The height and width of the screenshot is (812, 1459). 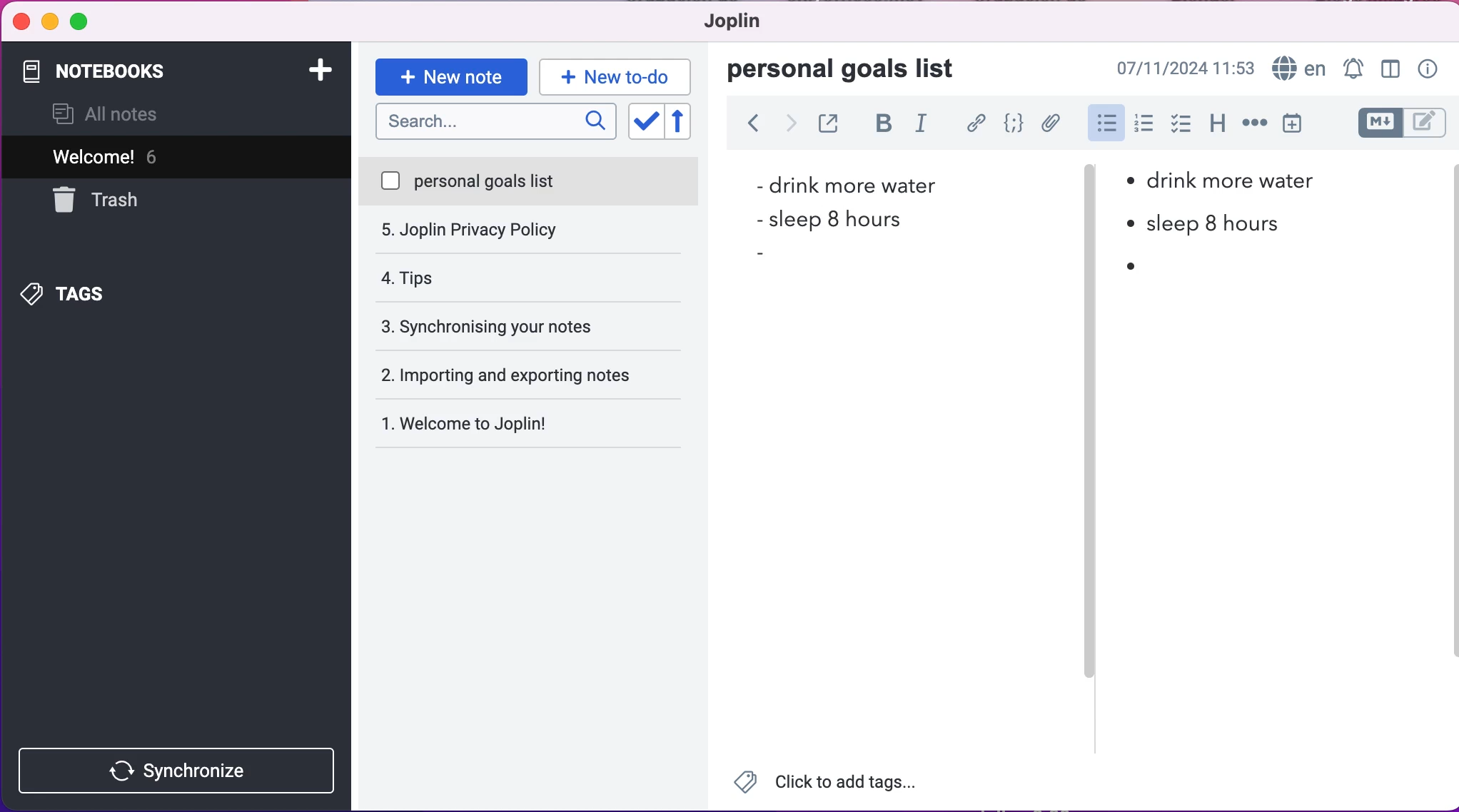 What do you see at coordinates (829, 126) in the screenshot?
I see `toggle external editing` at bounding box center [829, 126].